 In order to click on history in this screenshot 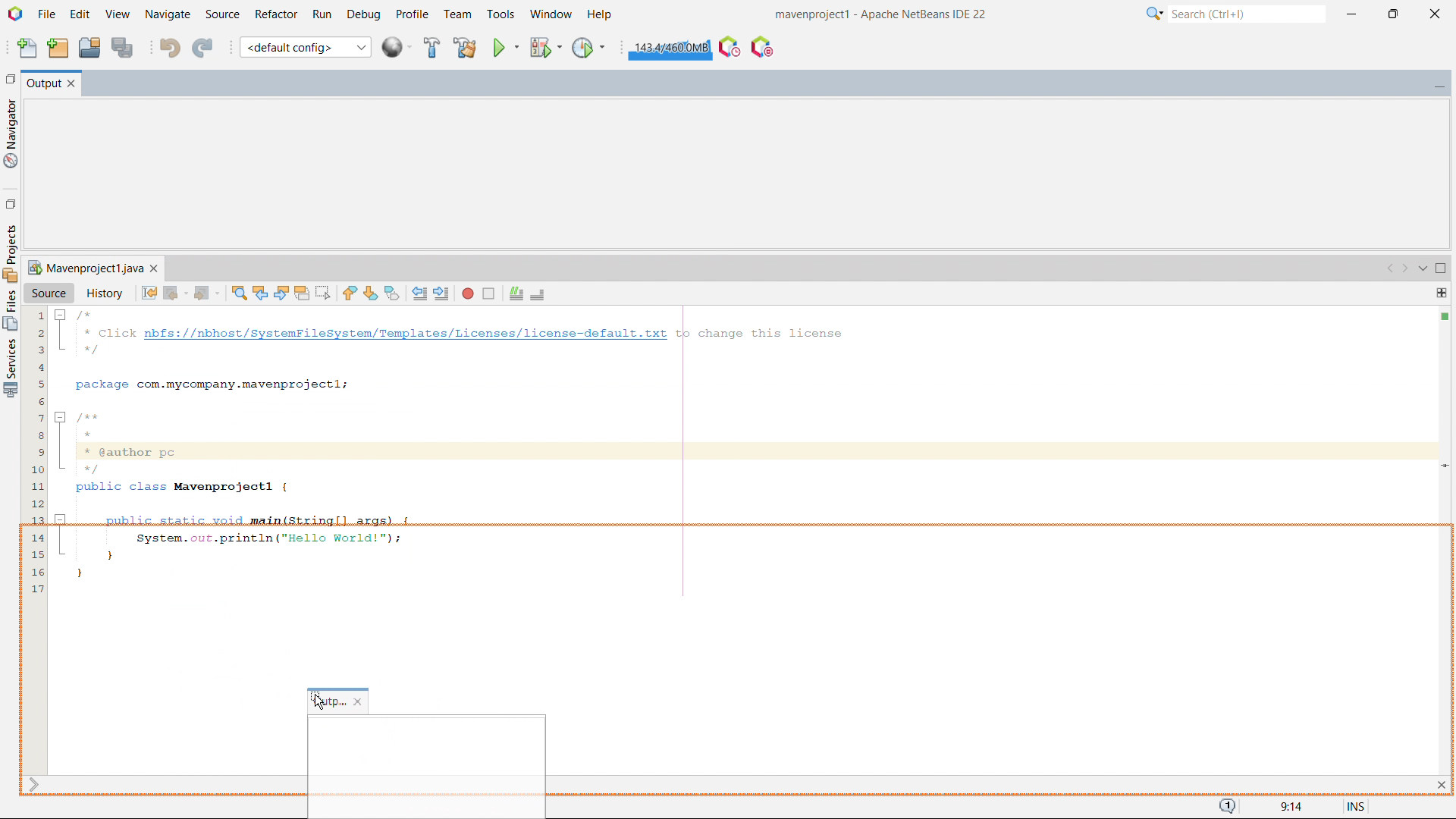, I will do `click(105, 293)`.